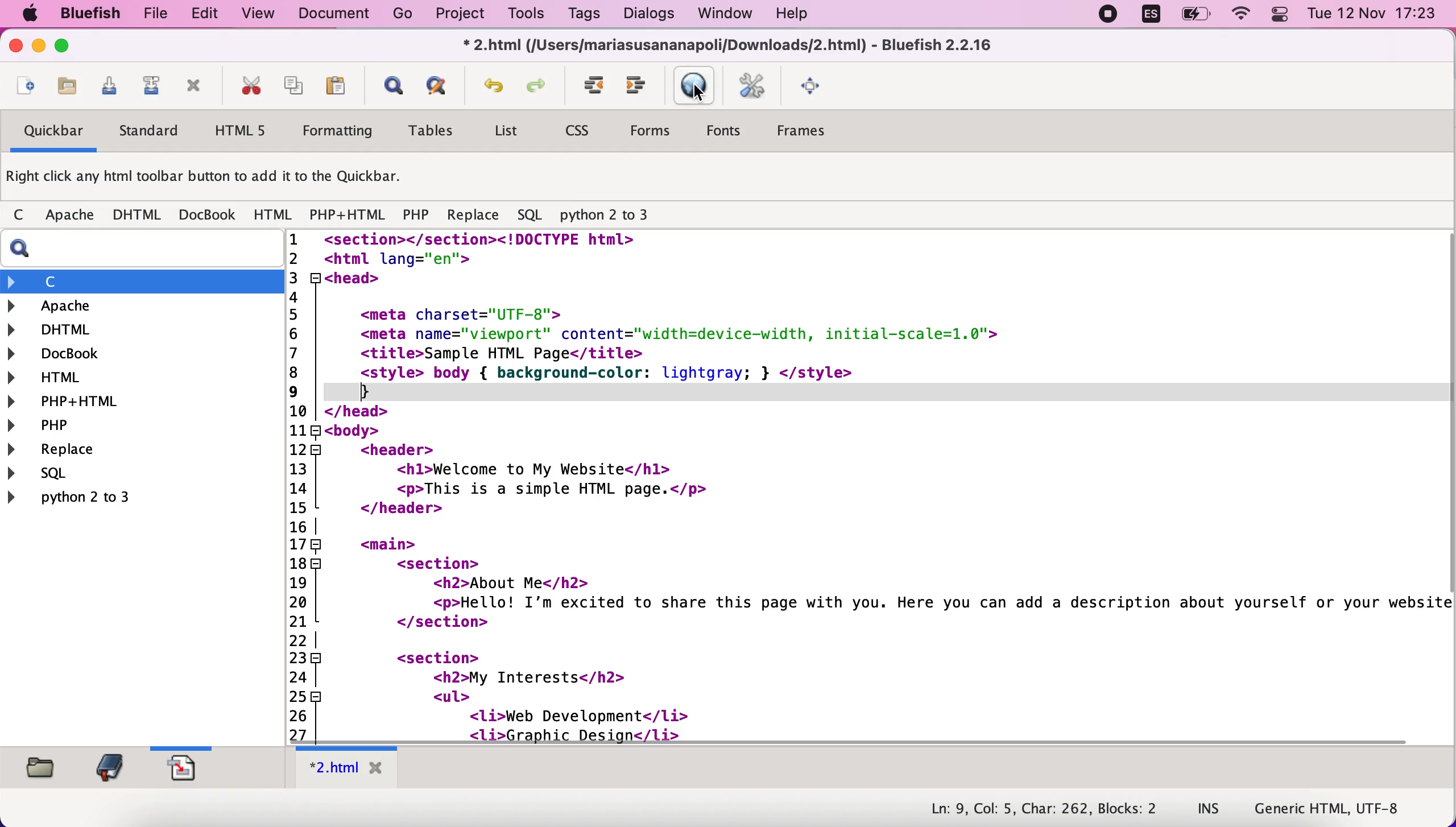 The image size is (1456, 827). Describe the element at coordinates (140, 215) in the screenshot. I see `dhtml` at that location.